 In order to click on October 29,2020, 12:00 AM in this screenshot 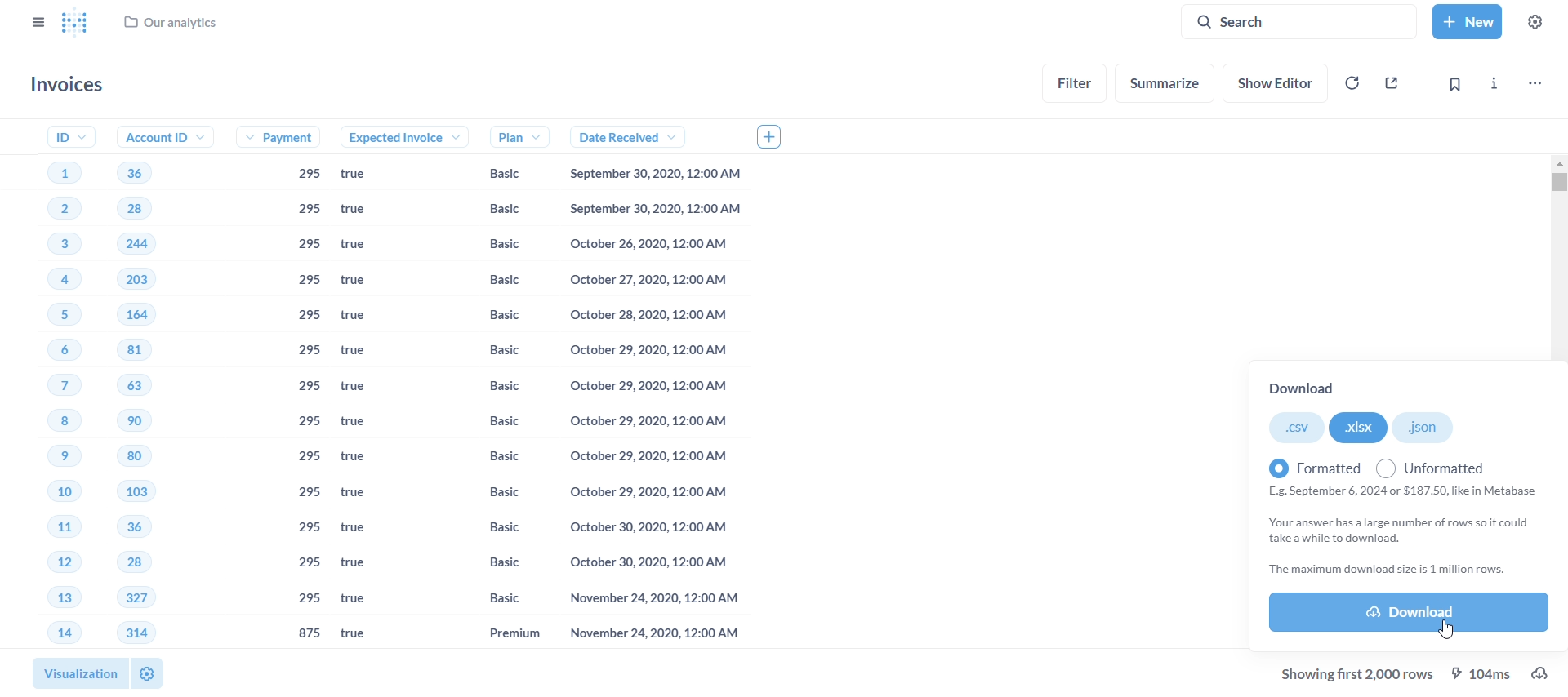, I will do `click(655, 353)`.